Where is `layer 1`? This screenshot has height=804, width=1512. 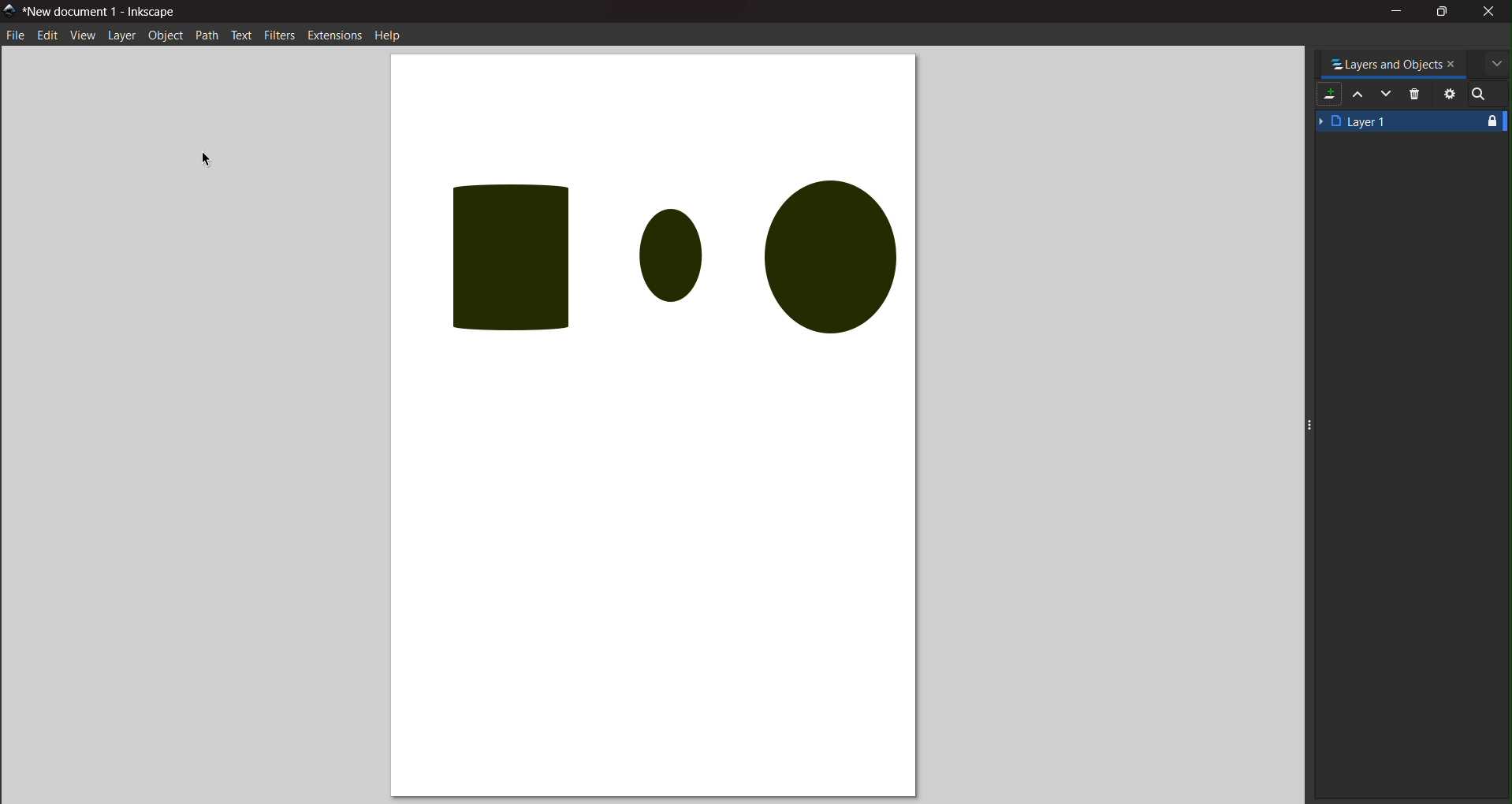 layer 1 is located at coordinates (1393, 122).